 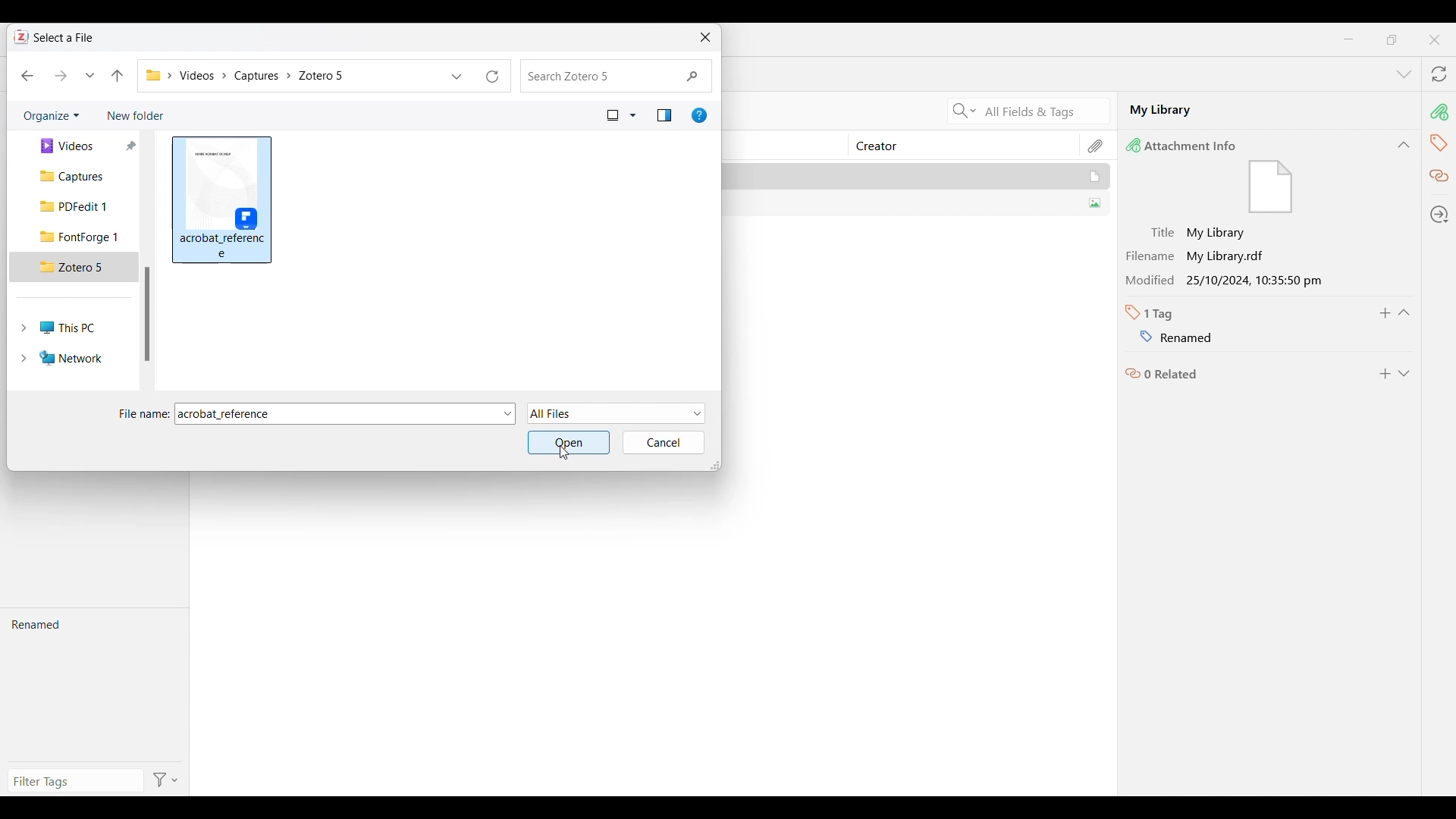 I want to click on Current view, so click(x=613, y=115).